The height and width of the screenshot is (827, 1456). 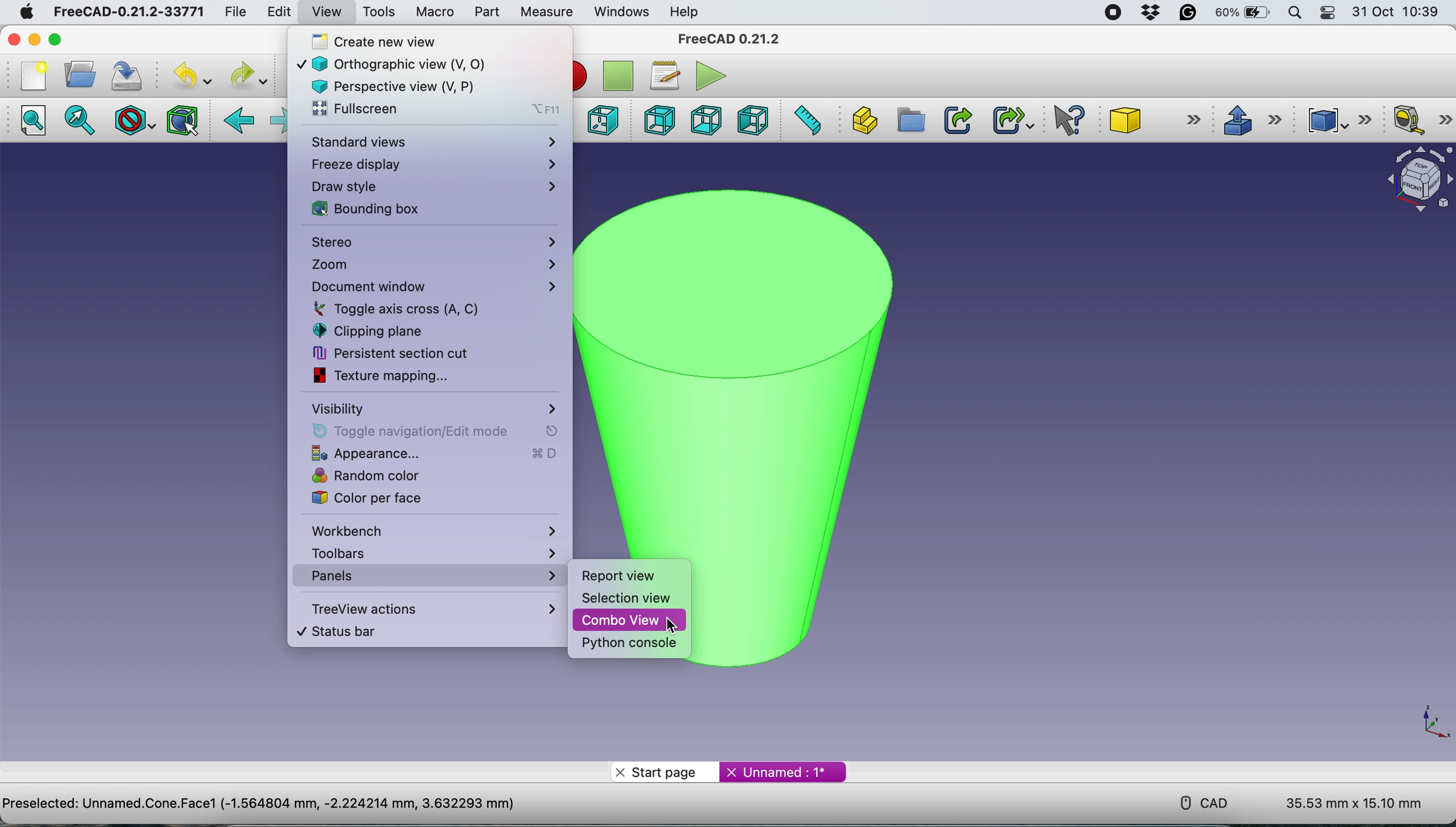 What do you see at coordinates (675, 627) in the screenshot?
I see `cursor` at bounding box center [675, 627].